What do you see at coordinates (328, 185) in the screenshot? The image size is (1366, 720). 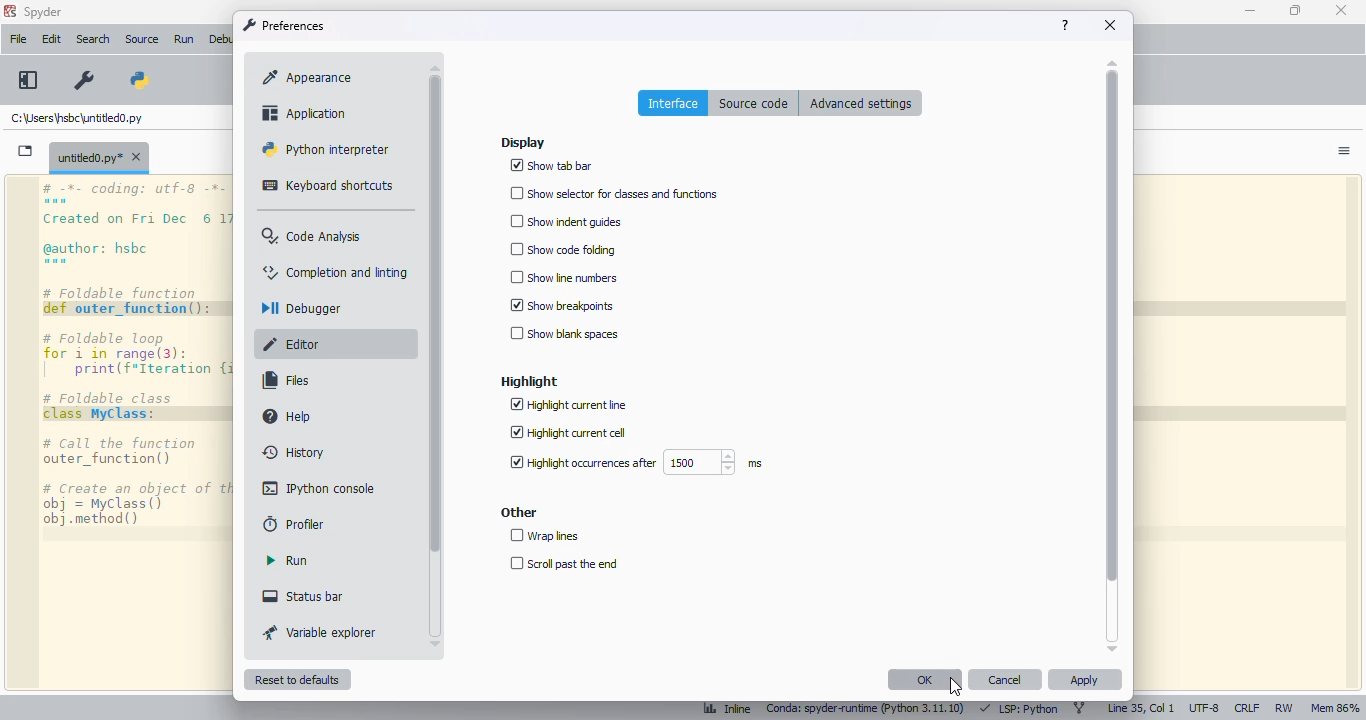 I see `keyboard shortcuts` at bounding box center [328, 185].